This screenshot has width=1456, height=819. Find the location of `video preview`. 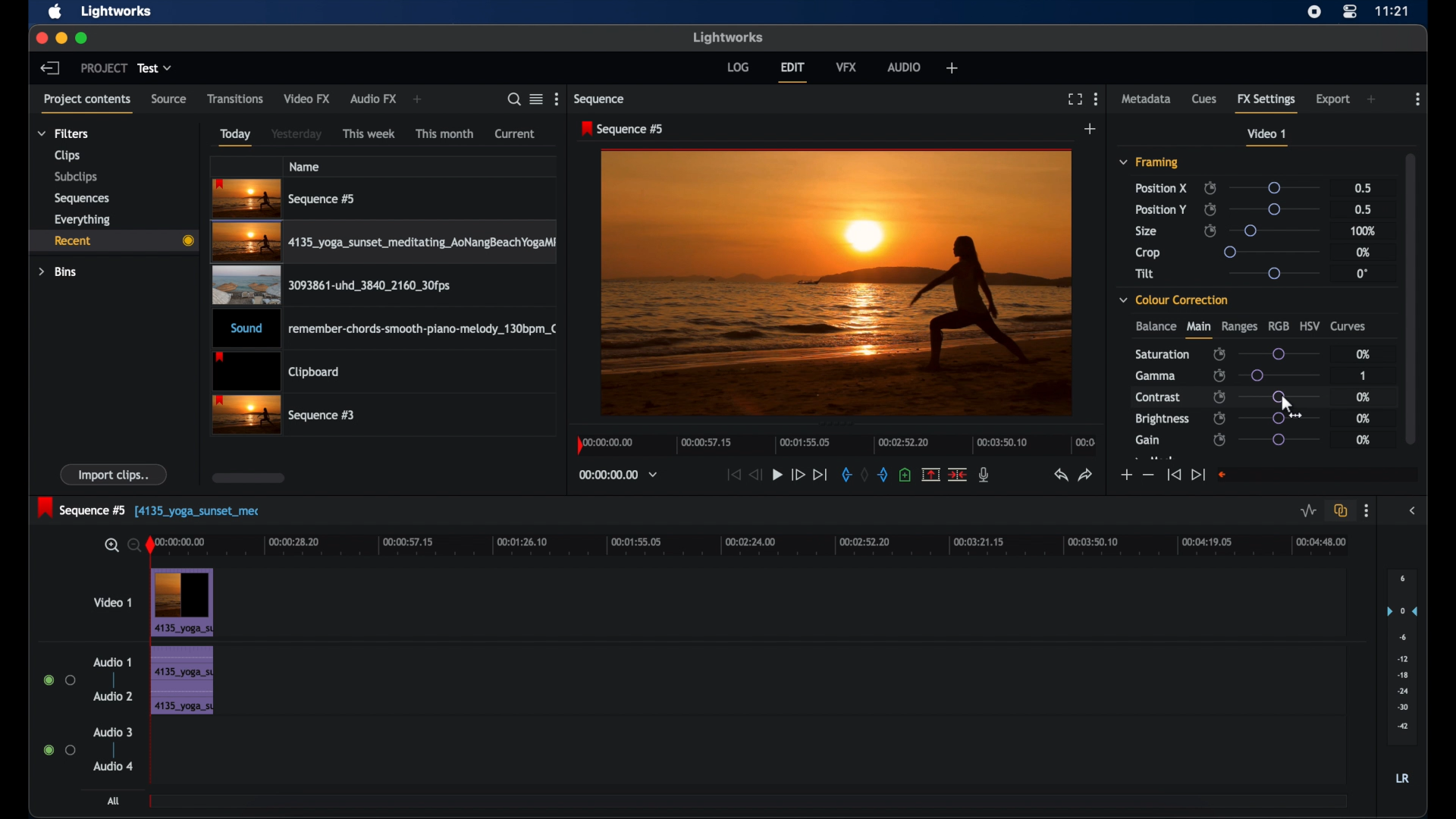

video preview is located at coordinates (836, 284).